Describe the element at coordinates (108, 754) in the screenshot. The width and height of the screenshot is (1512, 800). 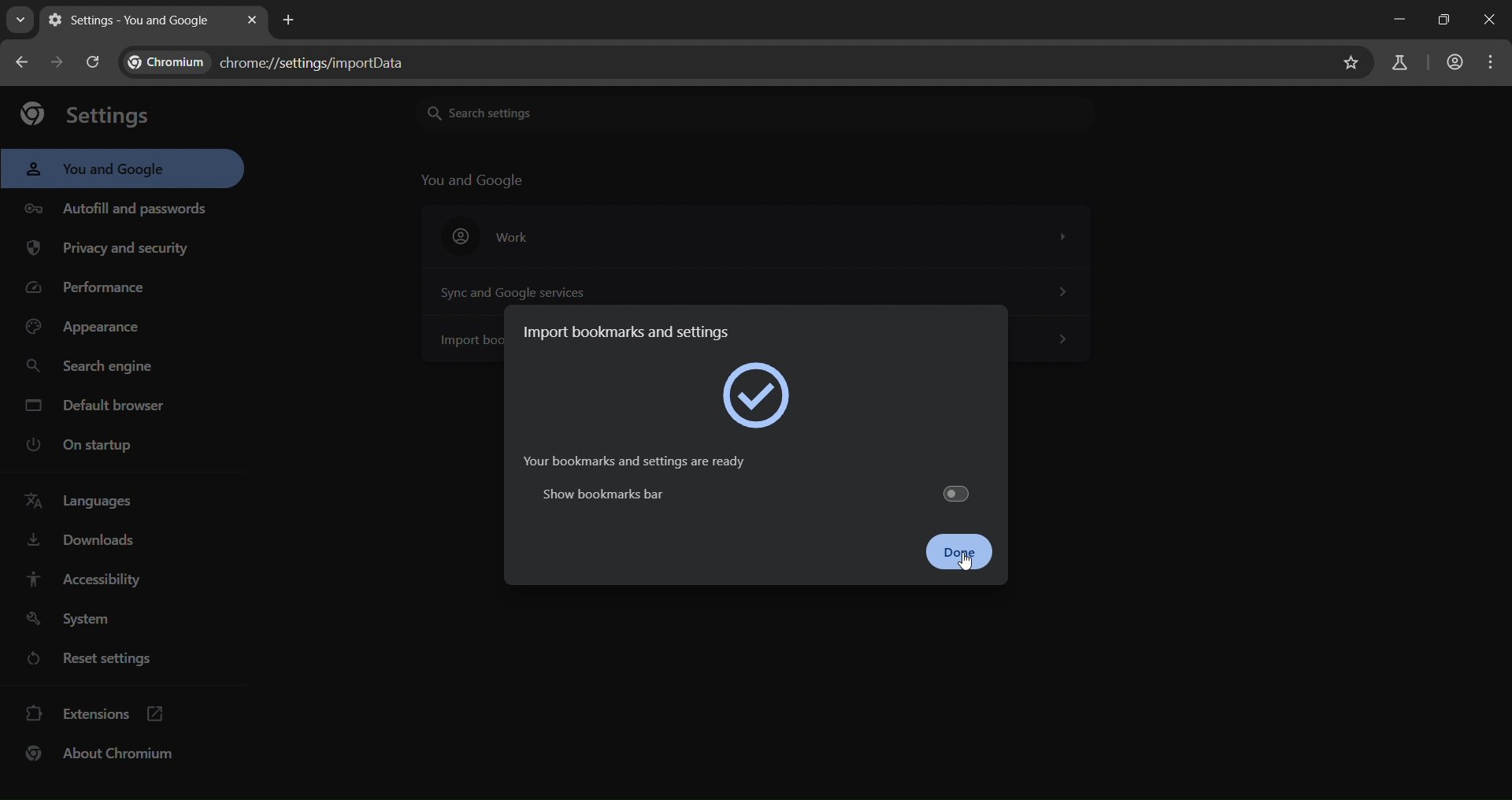
I see `about chroimum` at that location.